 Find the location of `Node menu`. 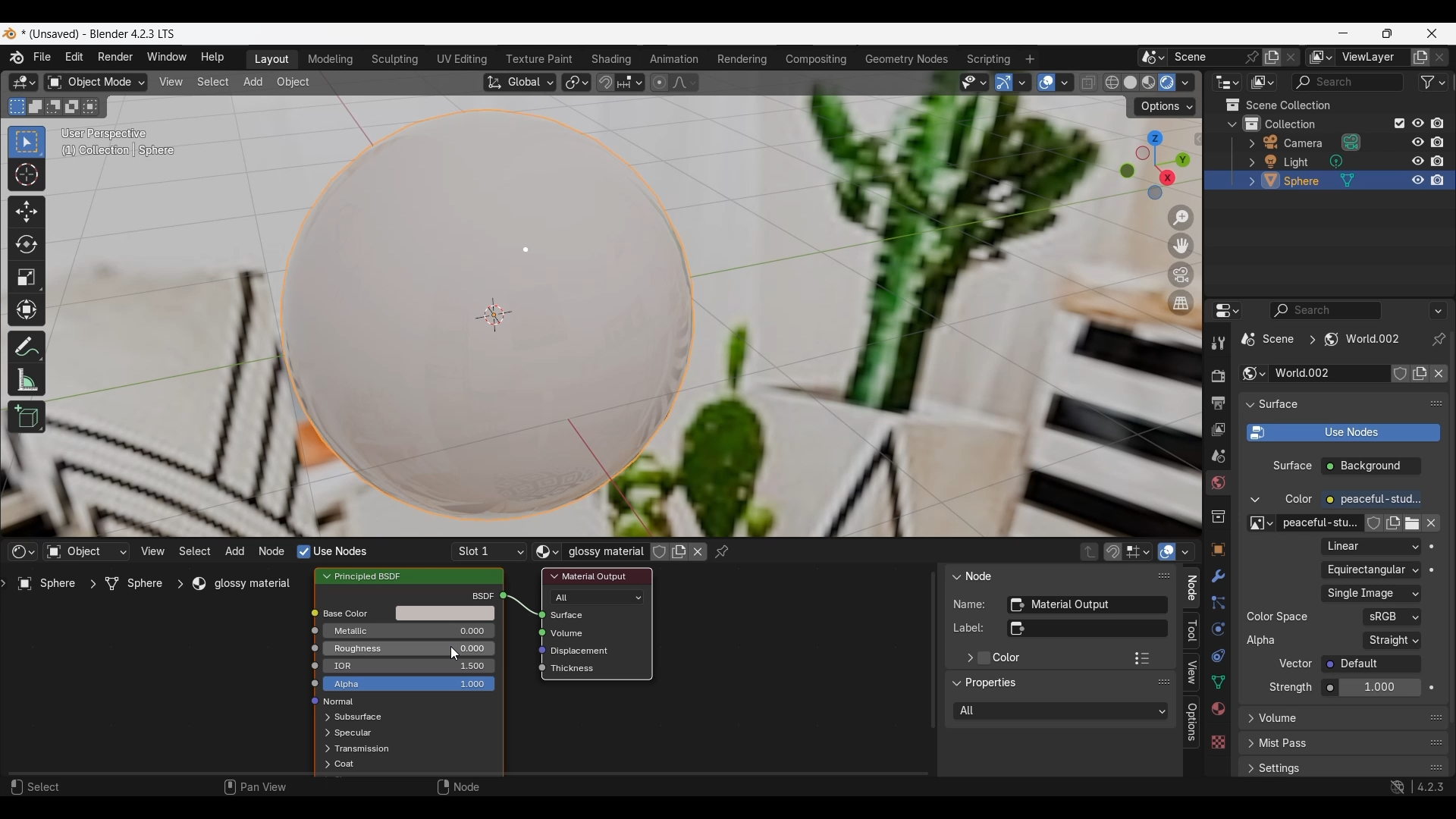

Node menu is located at coordinates (272, 551).